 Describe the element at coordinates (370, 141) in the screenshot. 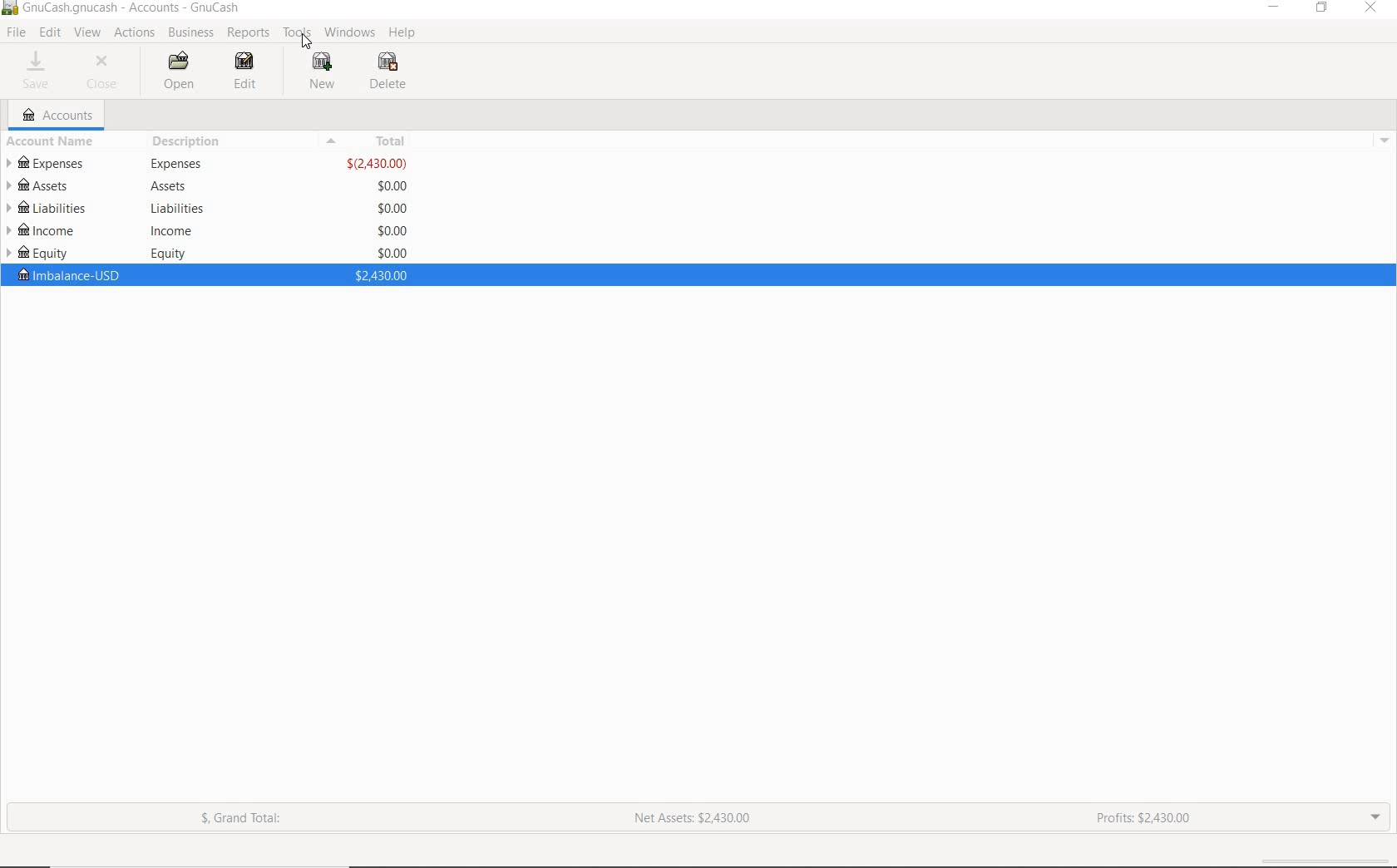

I see `TOTAL` at that location.